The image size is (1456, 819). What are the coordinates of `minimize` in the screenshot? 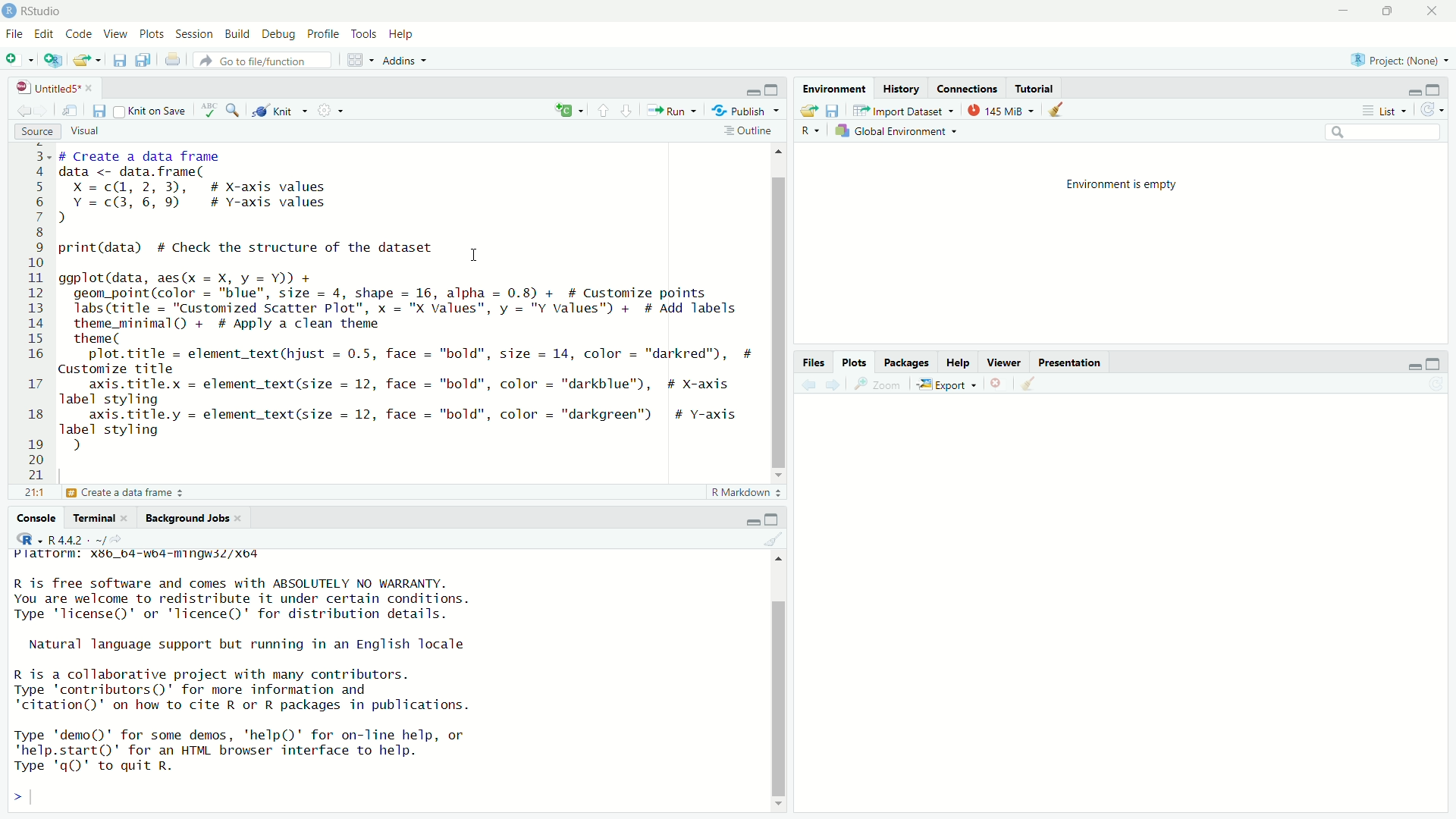 It's located at (1412, 366).